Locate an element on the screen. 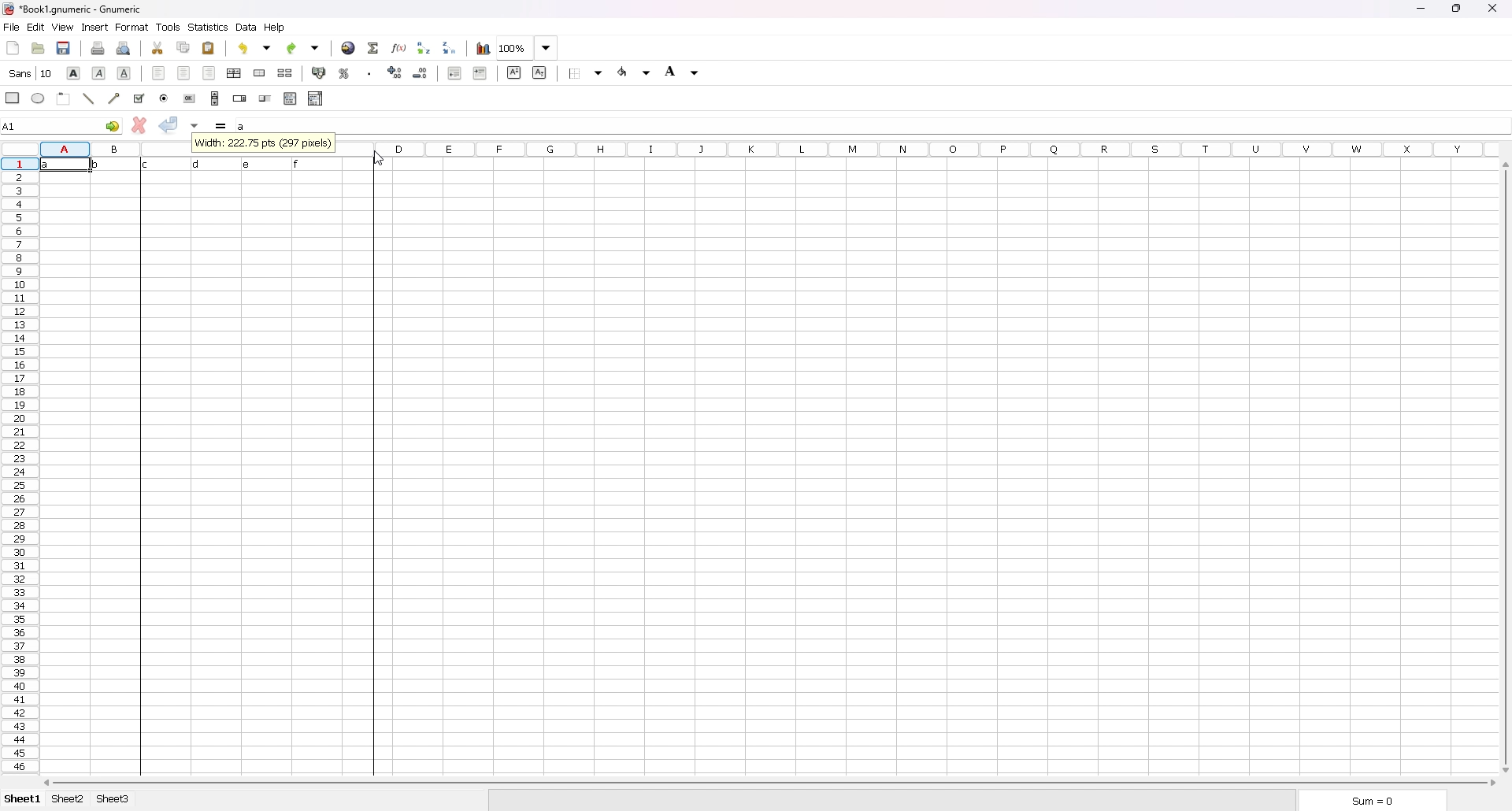 The width and height of the screenshot is (1512, 811). thousands separator is located at coordinates (371, 72).